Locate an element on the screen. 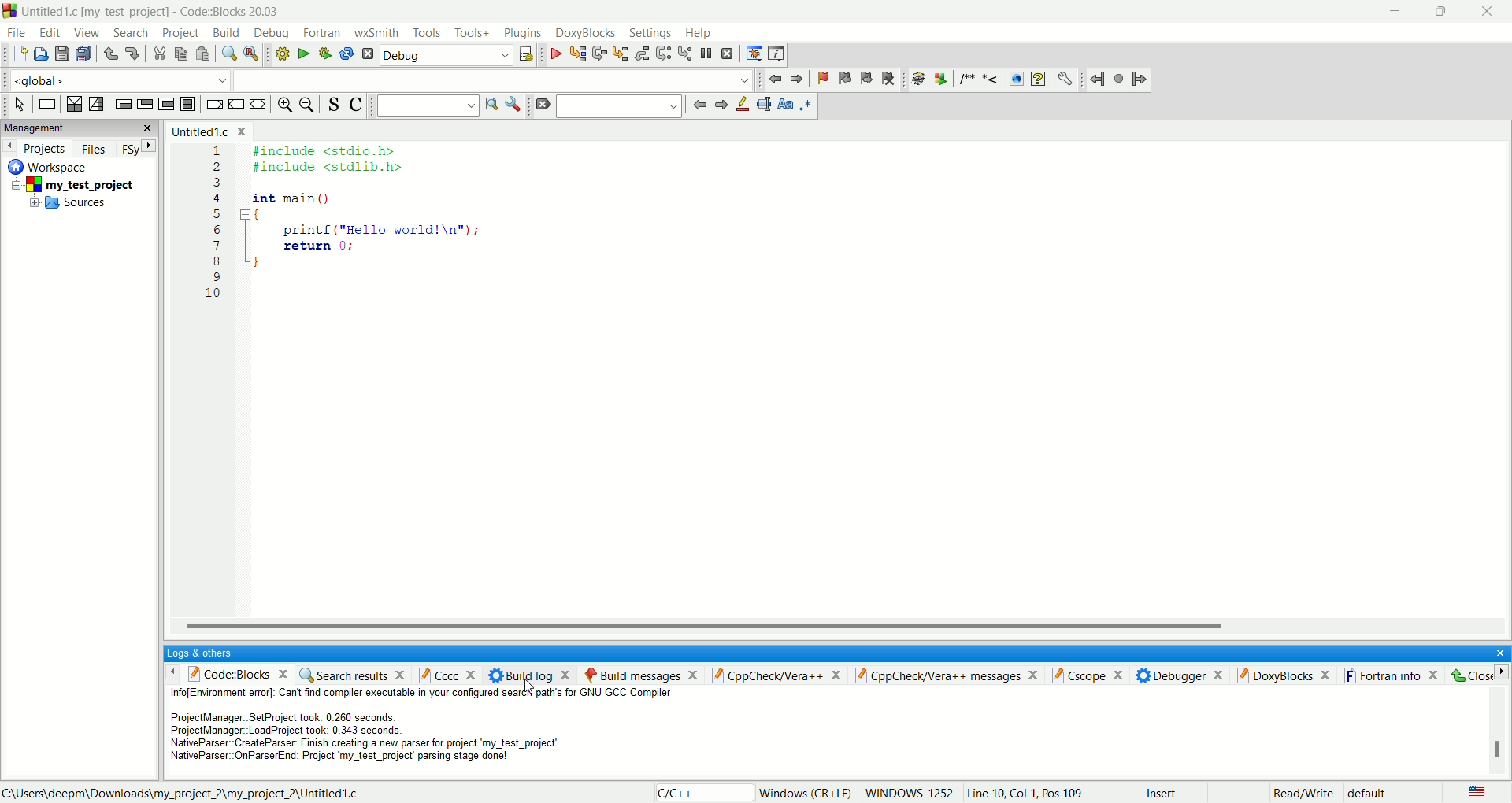 The width and height of the screenshot is (1512, 803). global is located at coordinates (115, 79).